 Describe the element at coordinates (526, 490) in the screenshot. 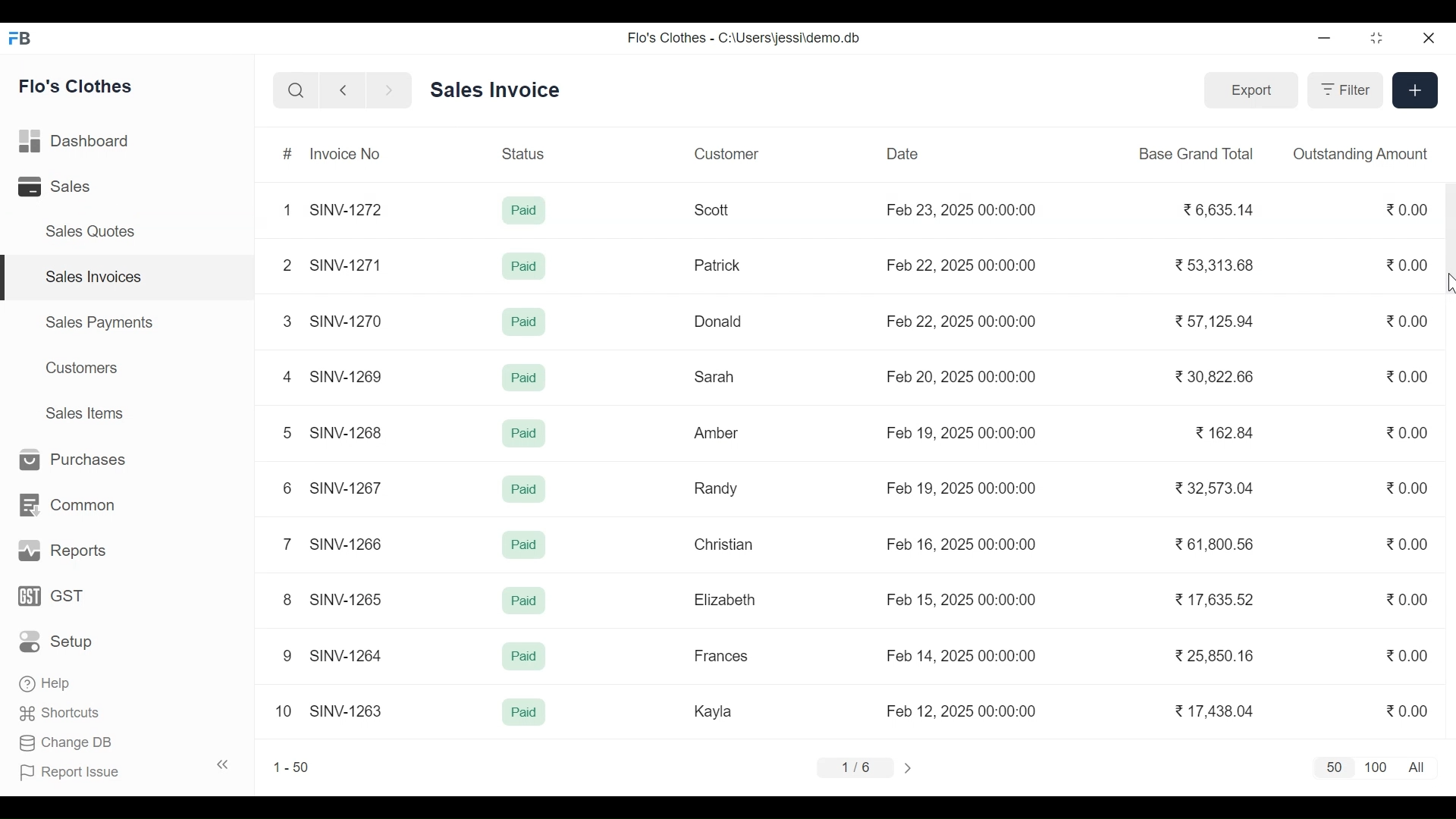

I see `` at that location.